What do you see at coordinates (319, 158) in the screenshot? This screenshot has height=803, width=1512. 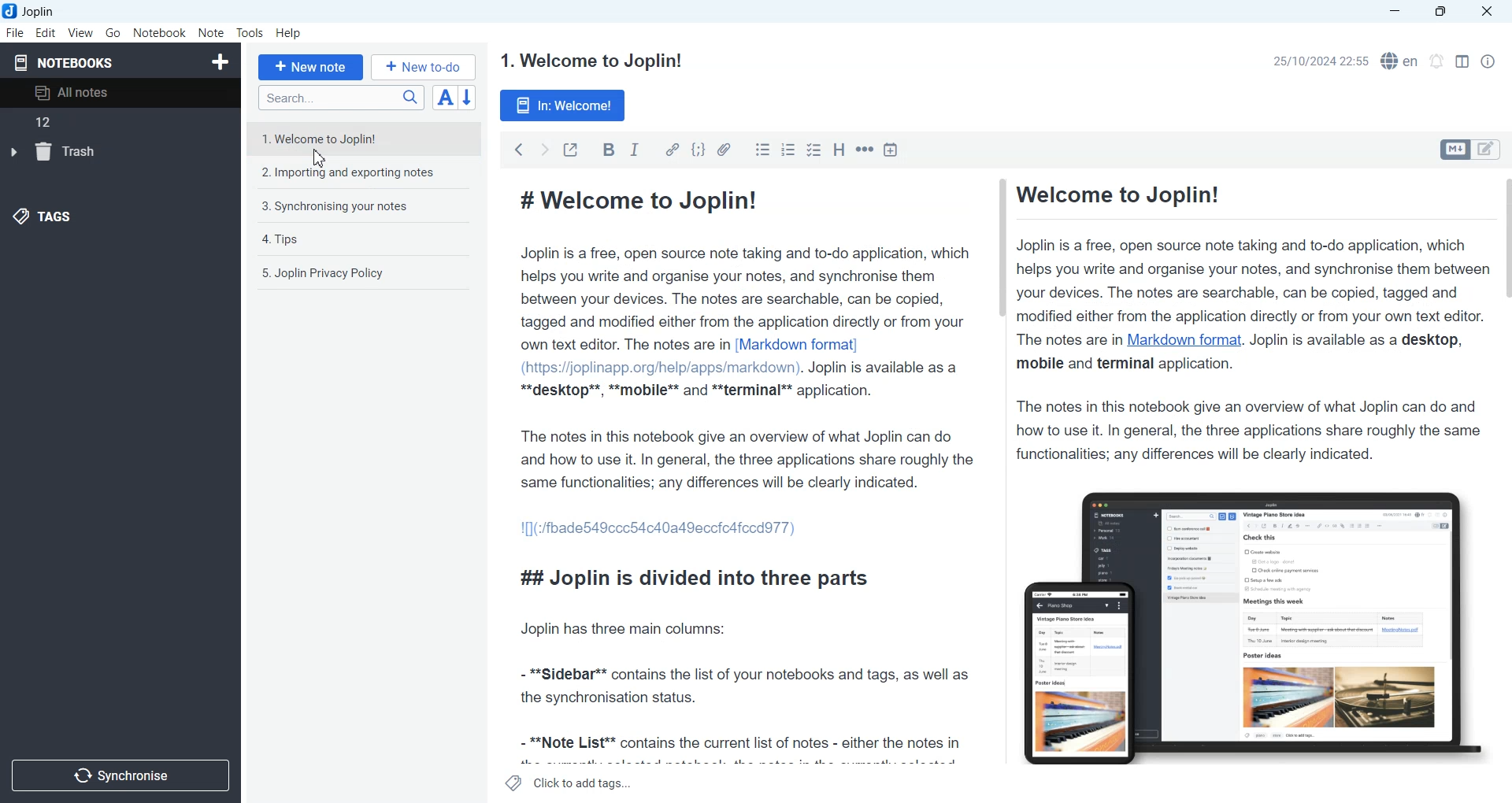 I see `Cursor` at bounding box center [319, 158].